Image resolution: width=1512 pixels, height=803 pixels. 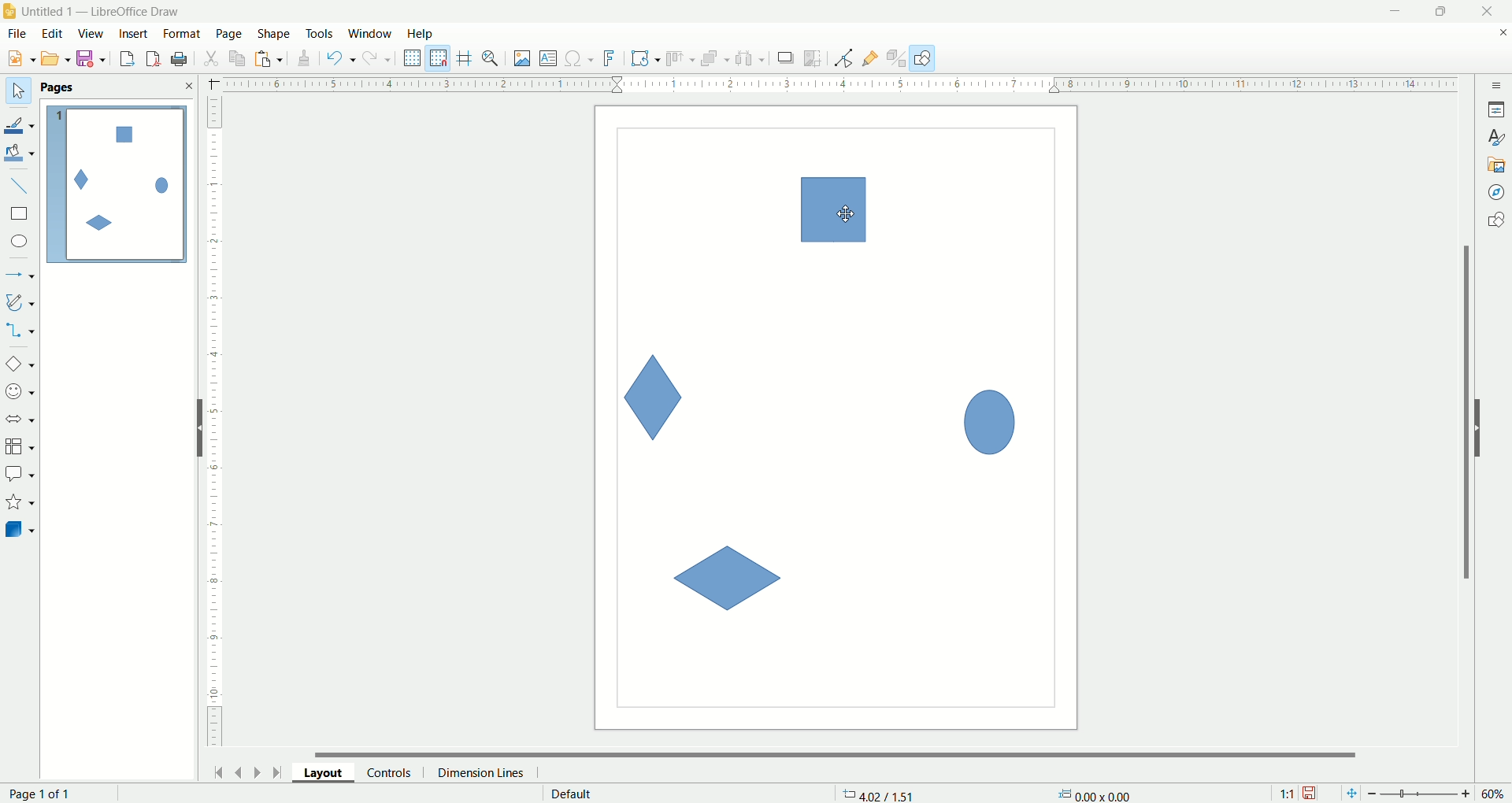 I want to click on close, so click(x=1503, y=35).